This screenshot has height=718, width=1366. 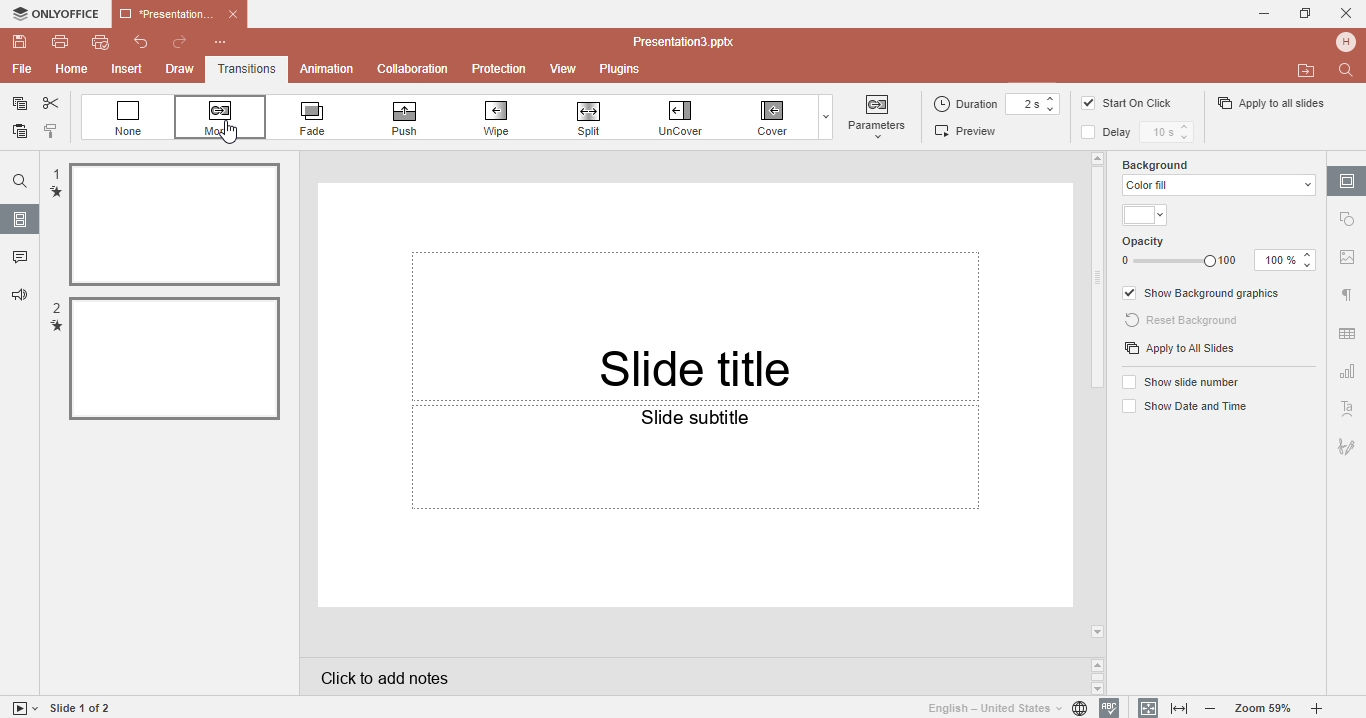 What do you see at coordinates (326, 68) in the screenshot?
I see `Animation` at bounding box center [326, 68].